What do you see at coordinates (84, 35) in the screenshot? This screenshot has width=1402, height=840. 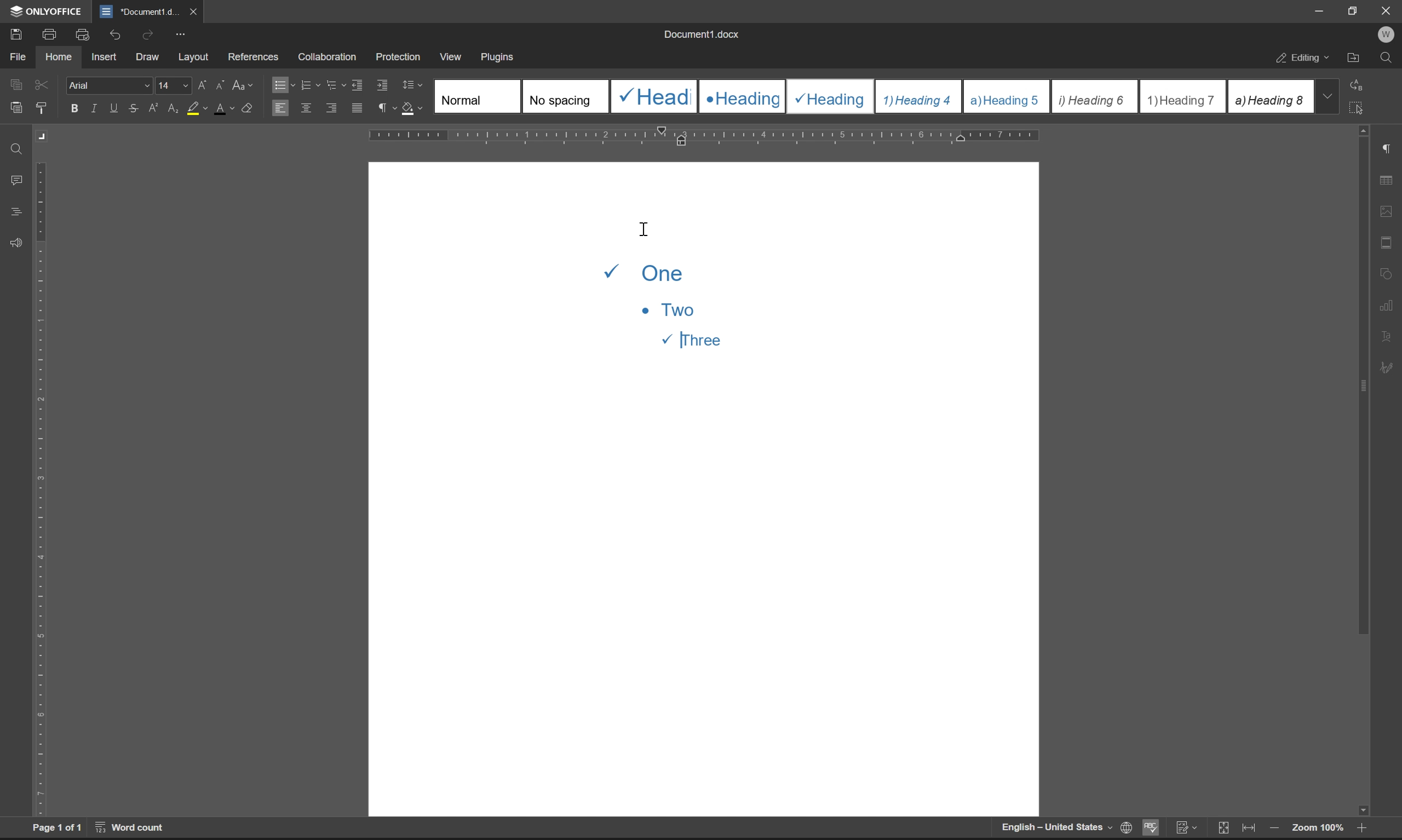 I see `print preview` at bounding box center [84, 35].